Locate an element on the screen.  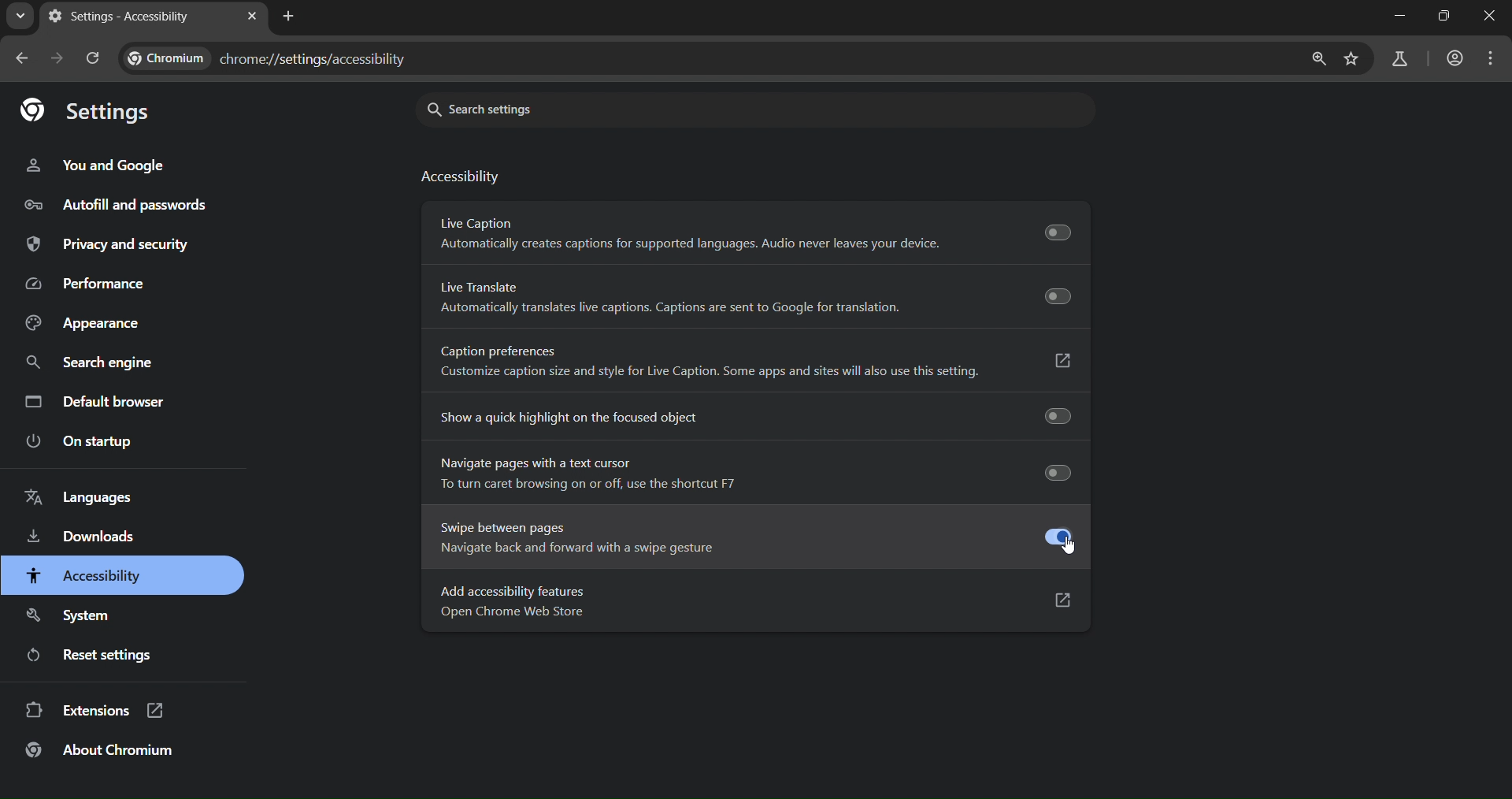
Show a quick highlight on the focused object is located at coordinates (747, 419).